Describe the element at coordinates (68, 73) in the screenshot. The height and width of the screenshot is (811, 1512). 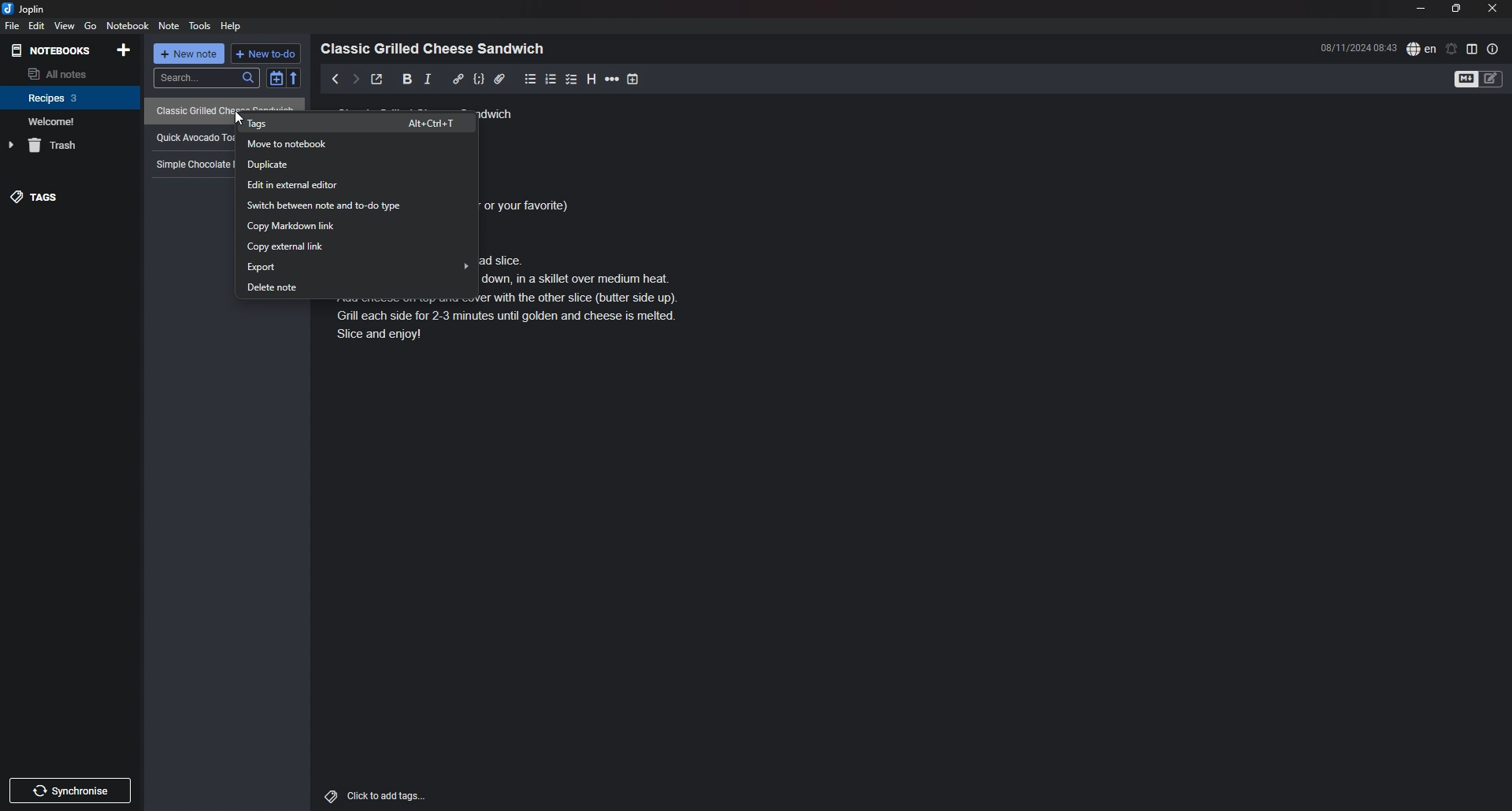
I see `all notes` at that location.